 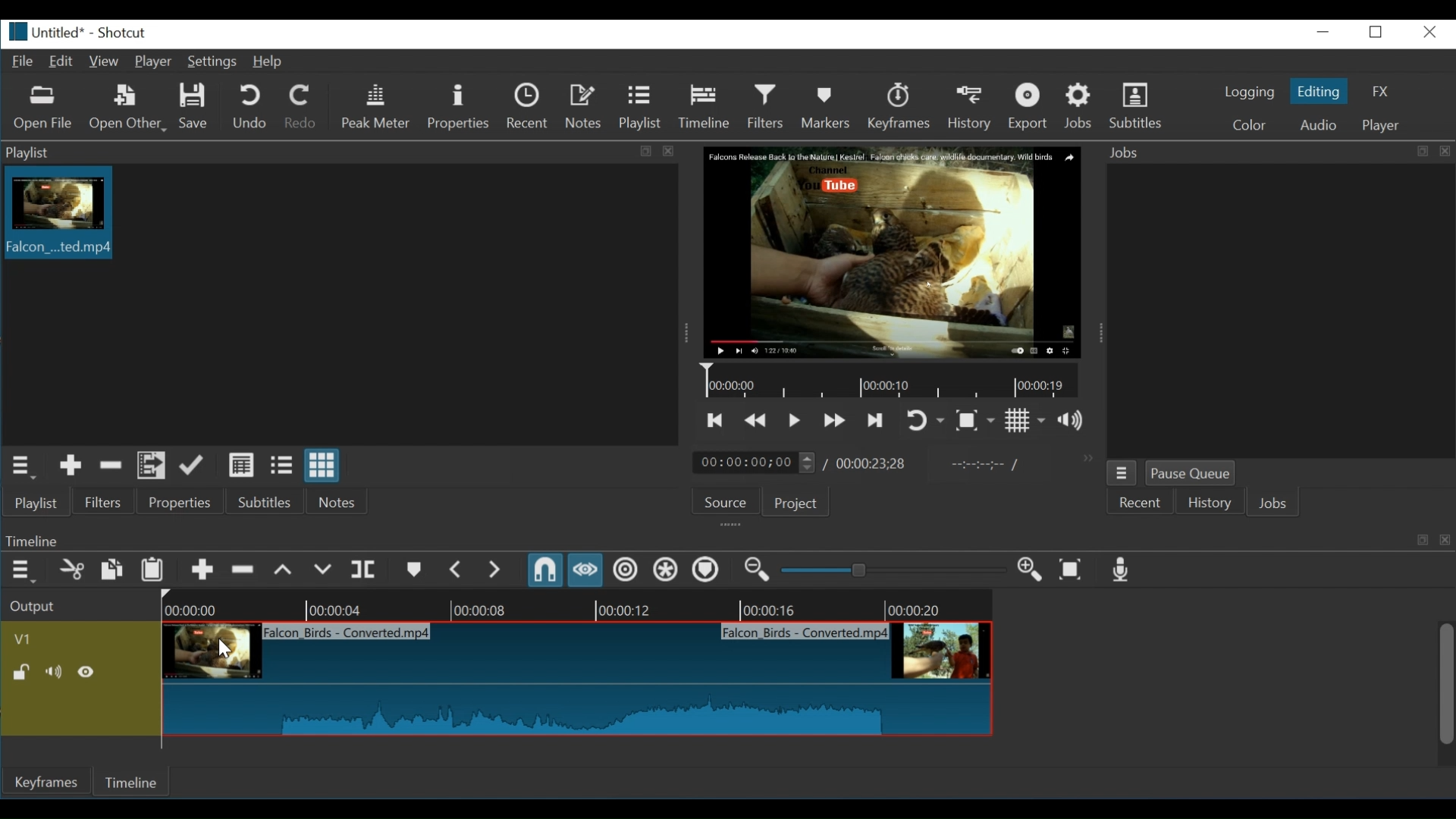 I want to click on Playlist, so click(x=38, y=502).